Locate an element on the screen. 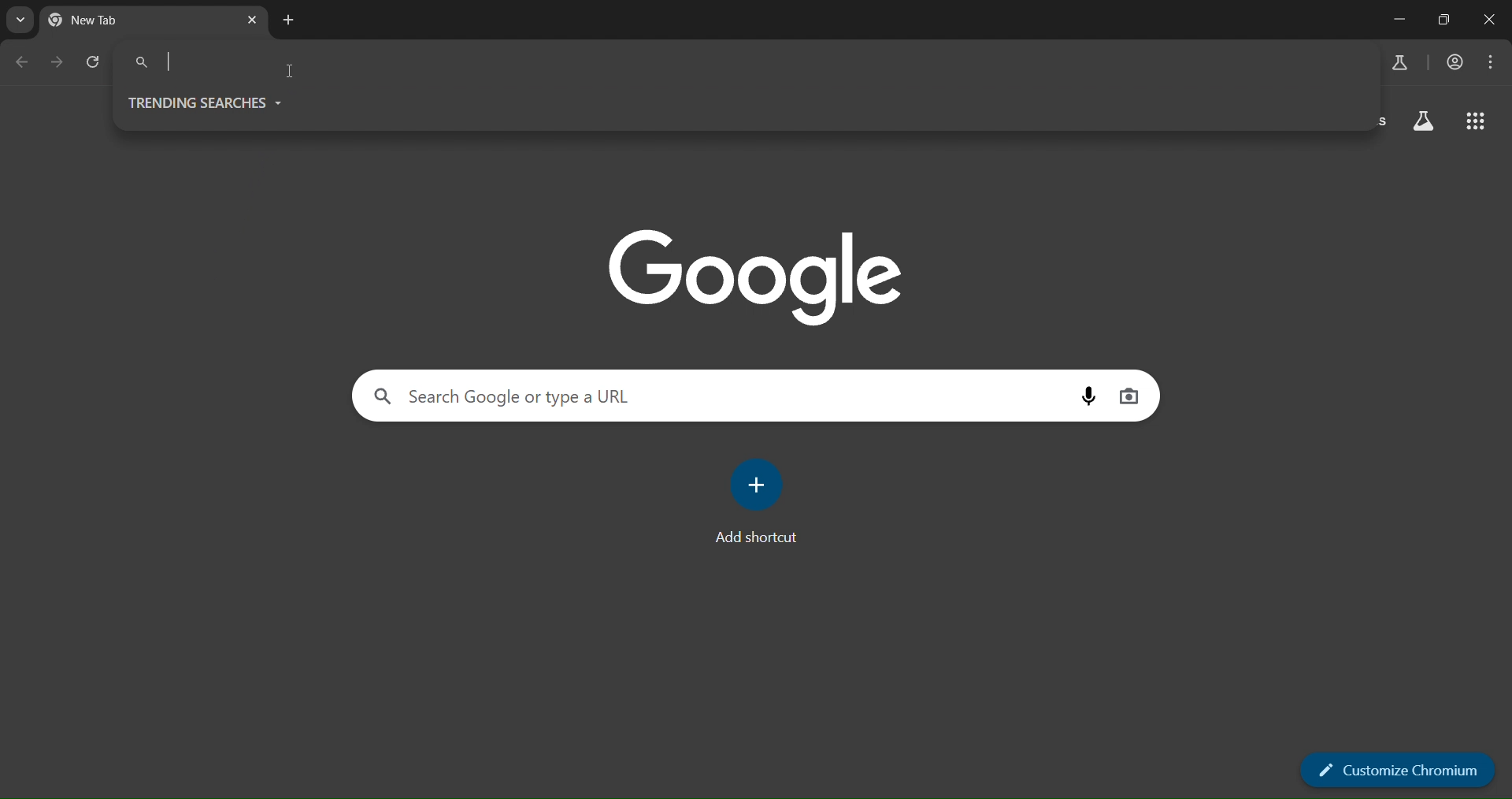 This screenshot has height=799, width=1512. account is located at coordinates (1453, 61).